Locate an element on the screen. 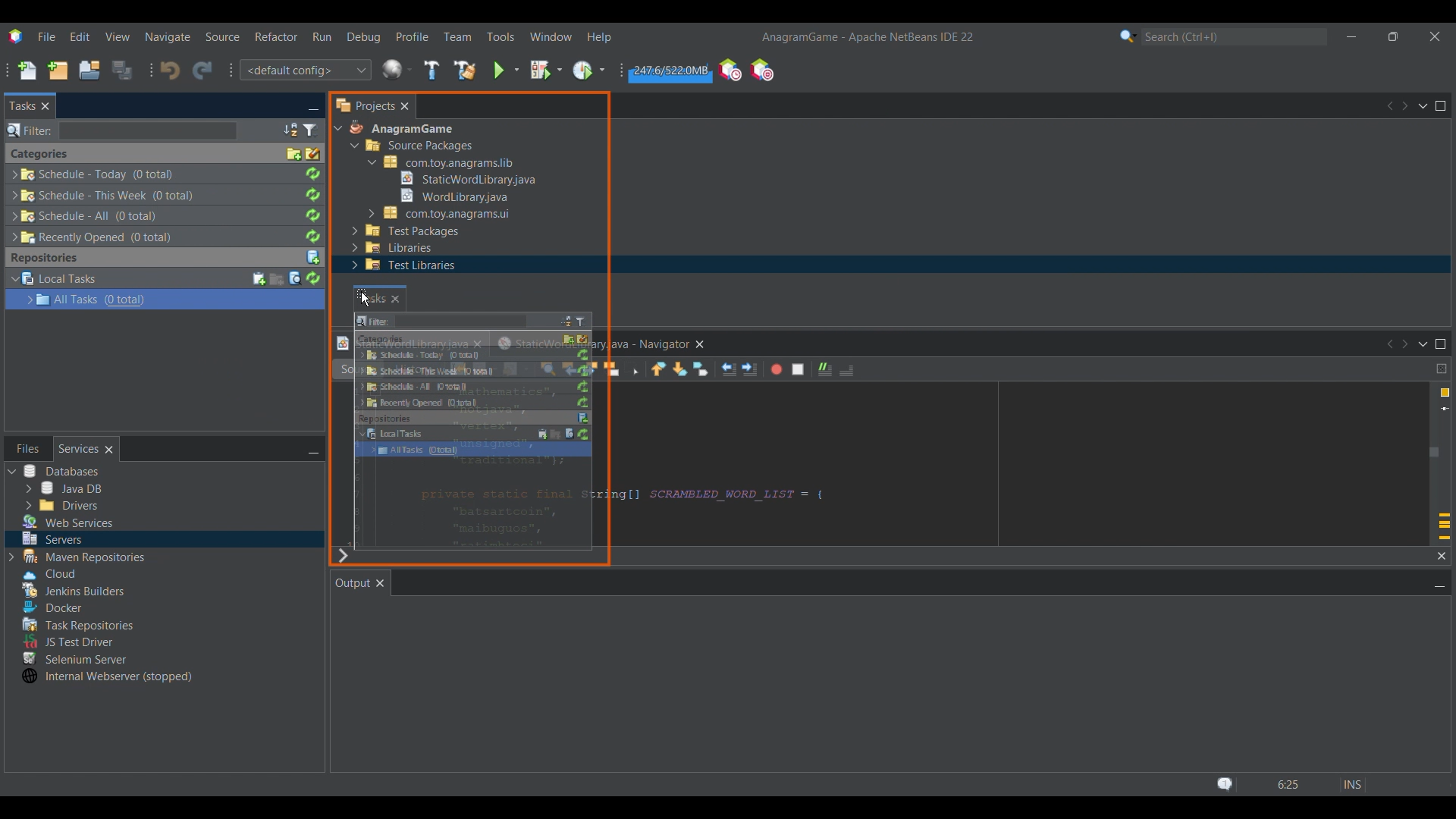   is located at coordinates (477, 398).